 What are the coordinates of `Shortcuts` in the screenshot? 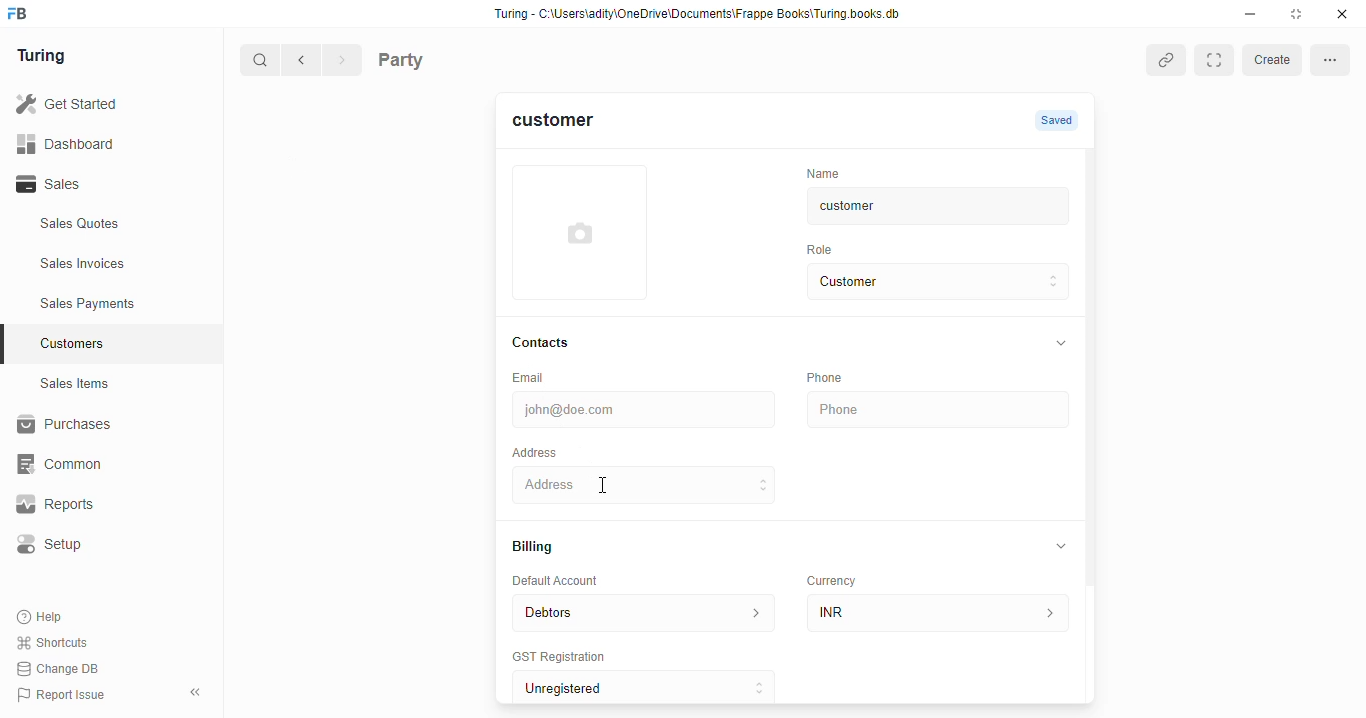 It's located at (58, 643).